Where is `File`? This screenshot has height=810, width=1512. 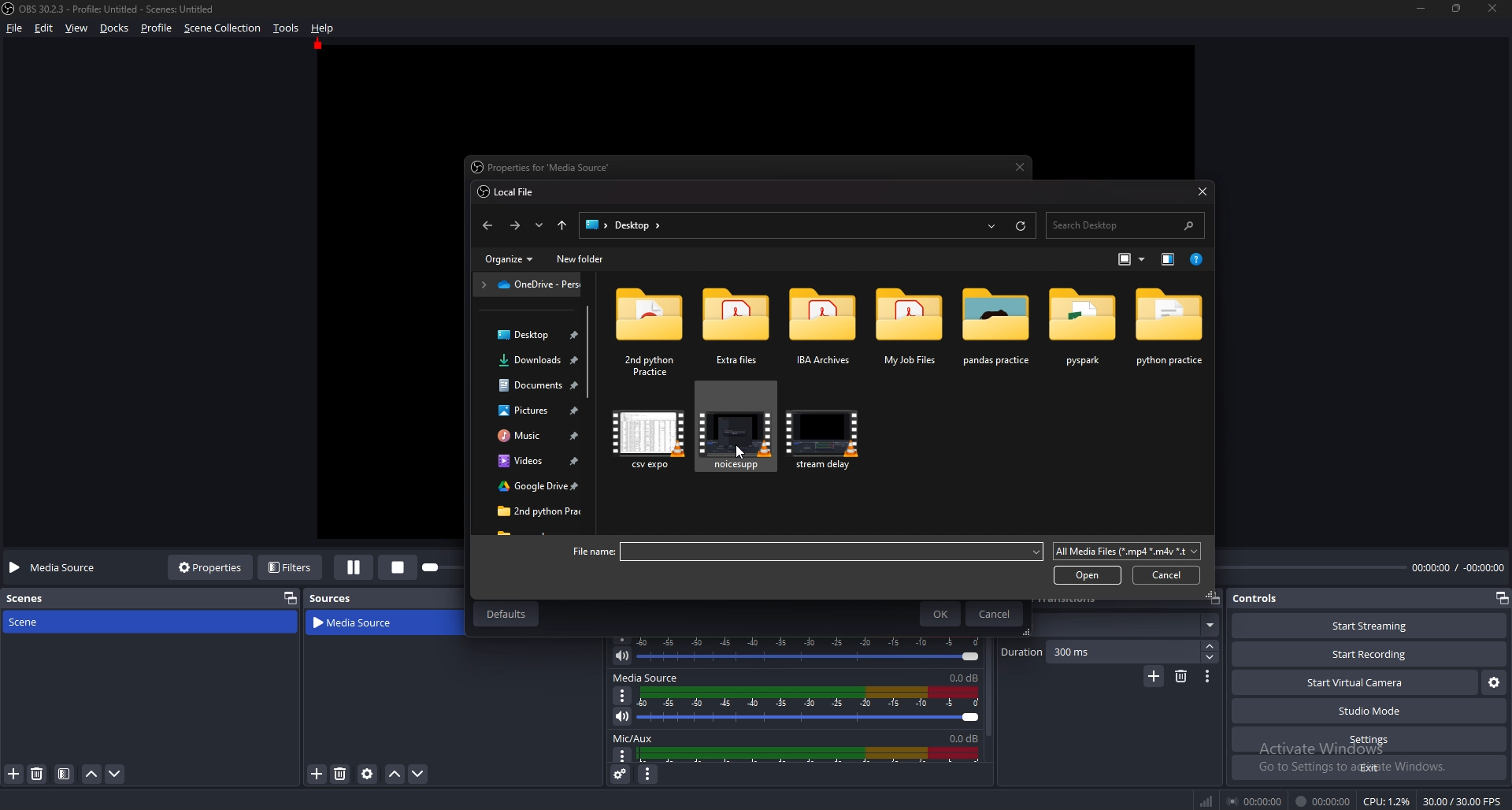
File is located at coordinates (17, 28).